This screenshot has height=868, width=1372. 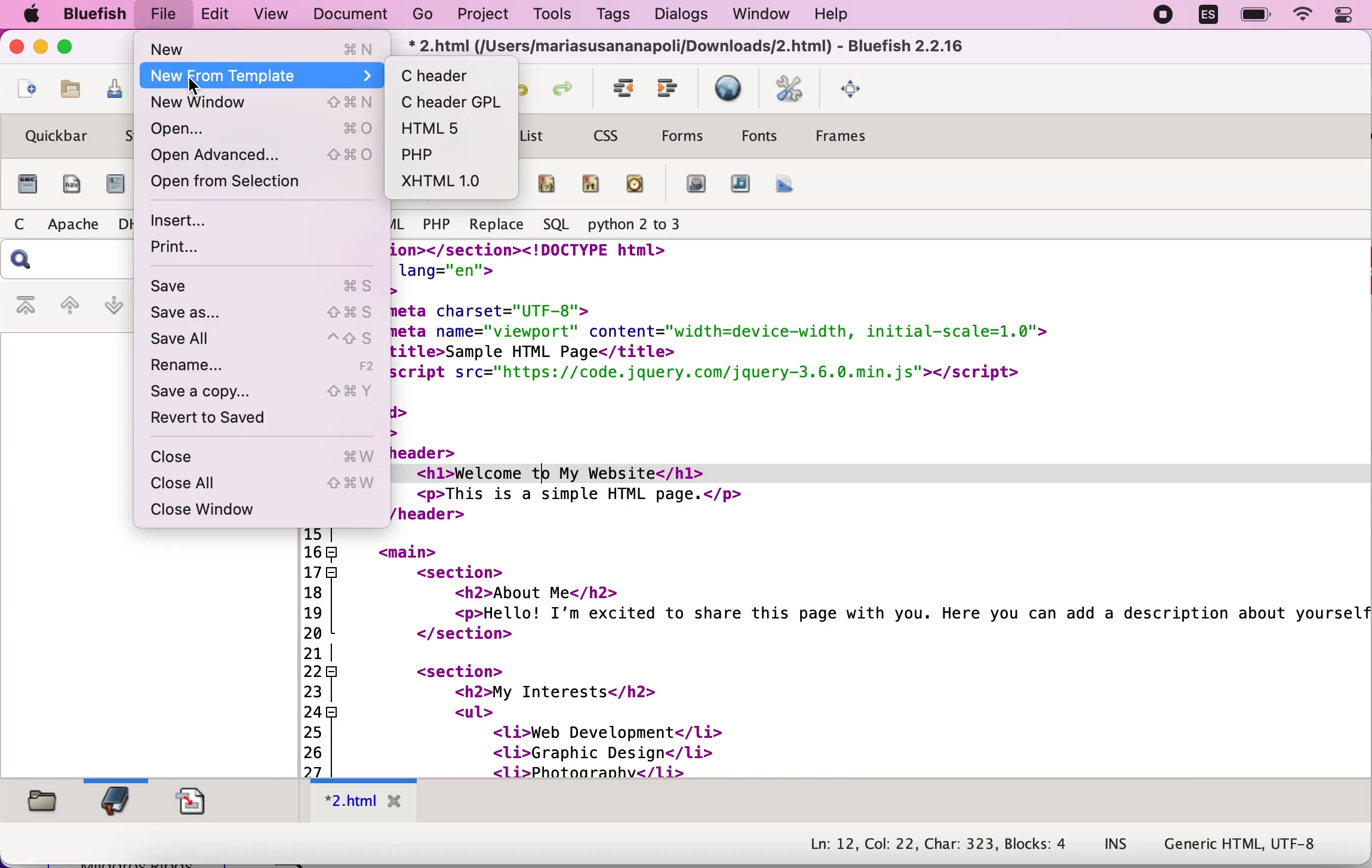 I want to click on fullscreen, so click(x=853, y=88).